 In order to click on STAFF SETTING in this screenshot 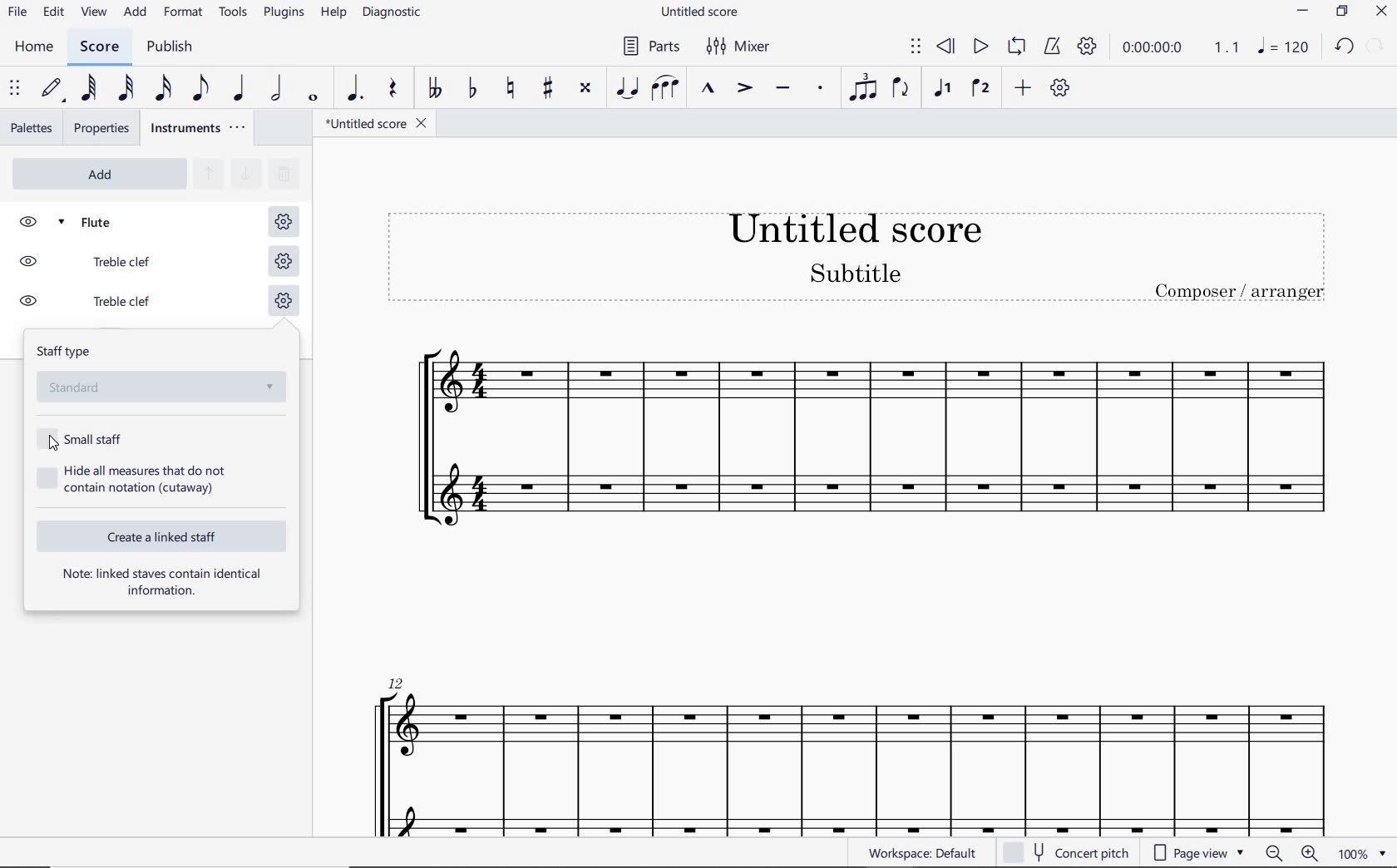, I will do `click(283, 259)`.